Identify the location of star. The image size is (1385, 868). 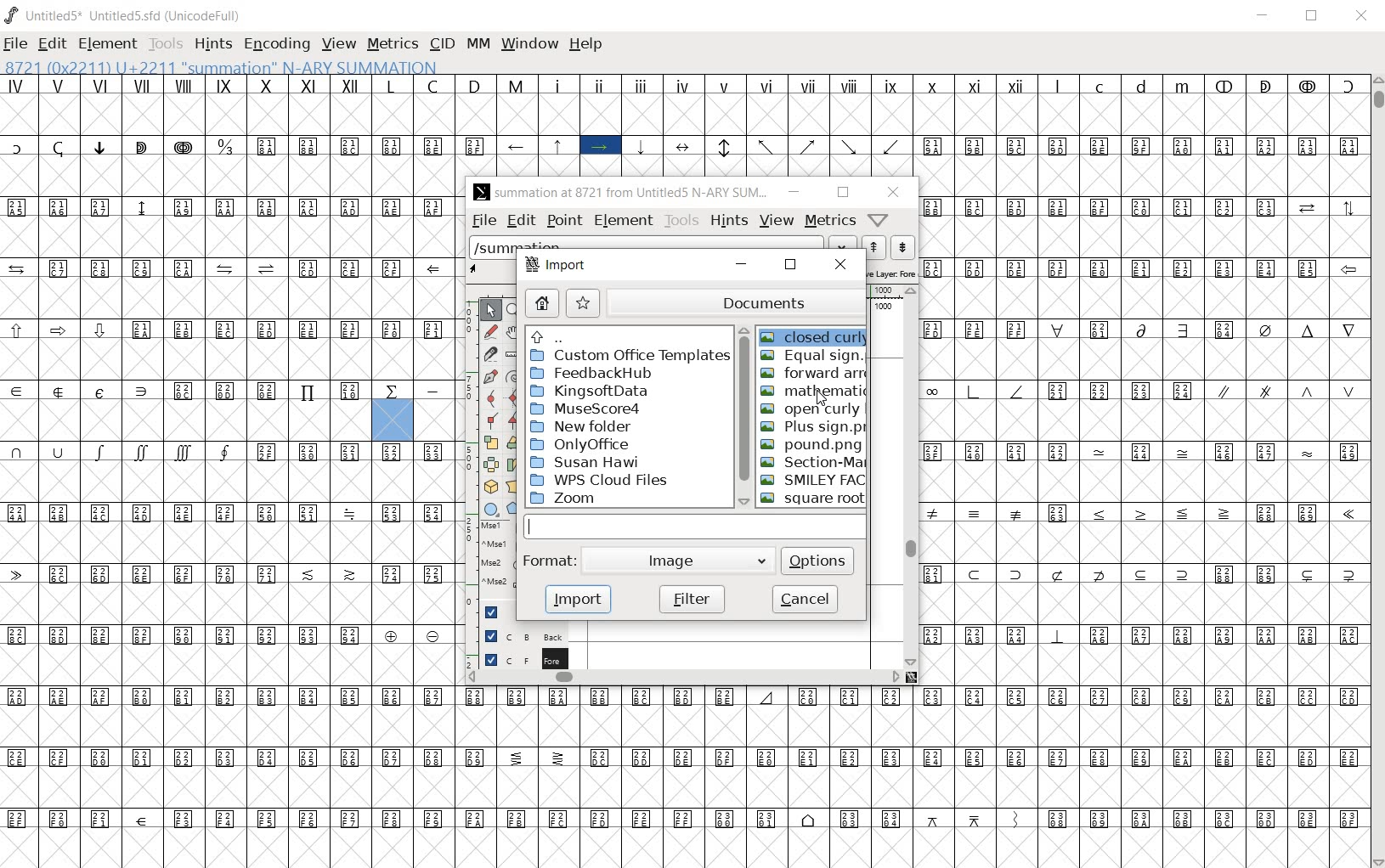
(585, 302).